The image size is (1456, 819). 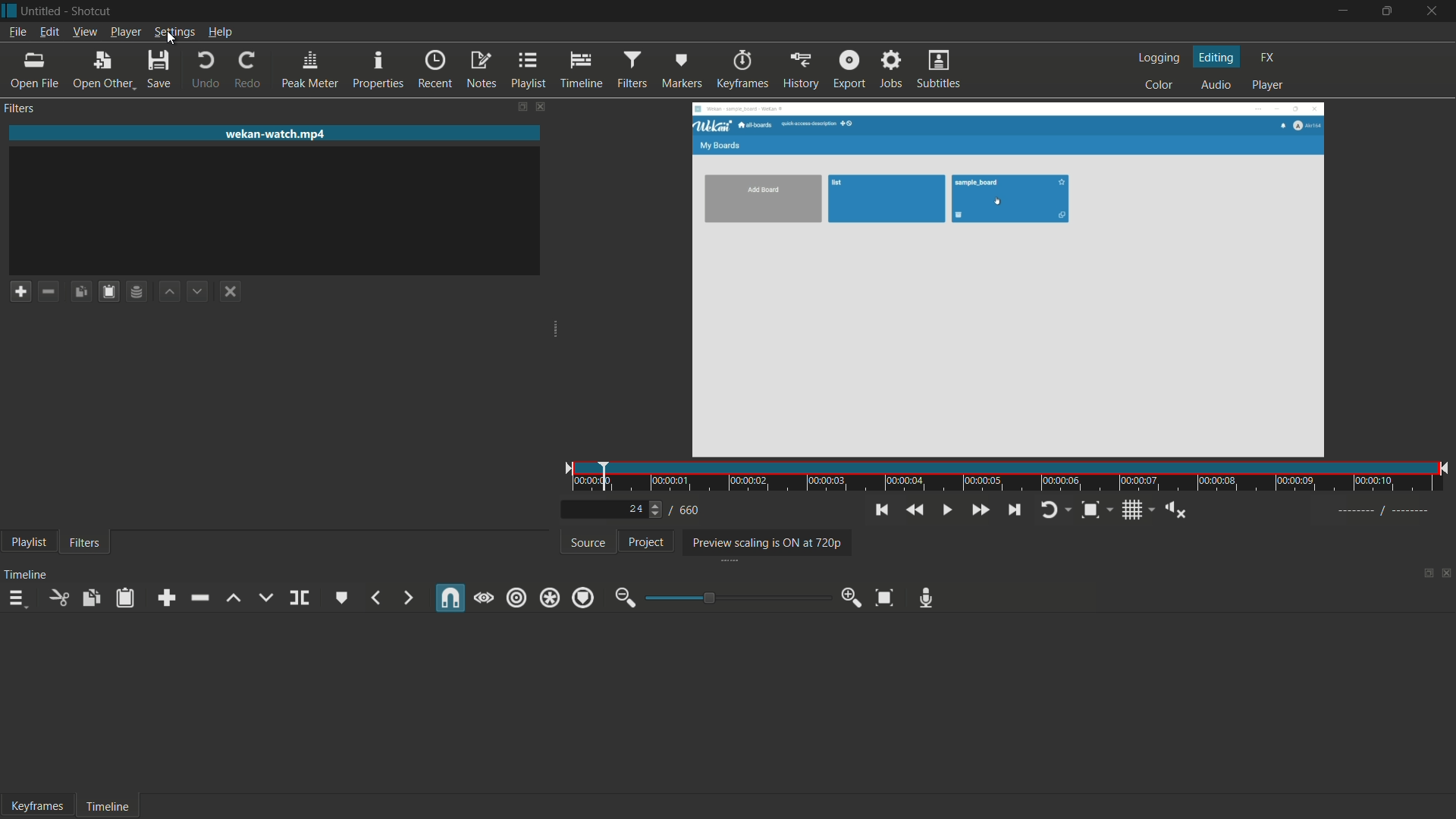 I want to click on jobs, so click(x=890, y=71).